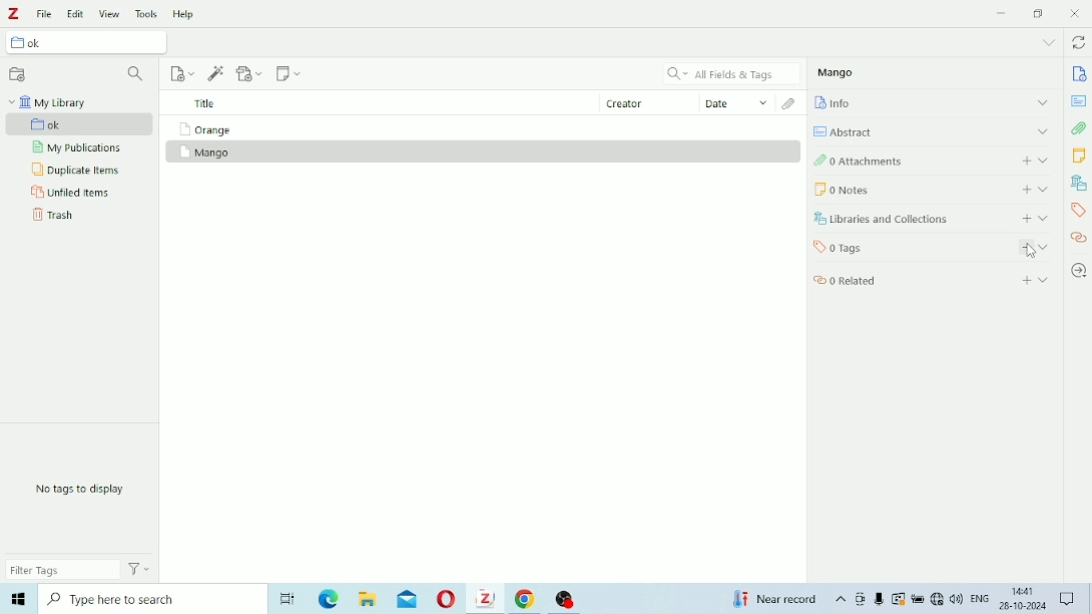 This screenshot has width=1092, height=614. Describe the element at coordinates (1078, 271) in the screenshot. I see `Locate` at that location.